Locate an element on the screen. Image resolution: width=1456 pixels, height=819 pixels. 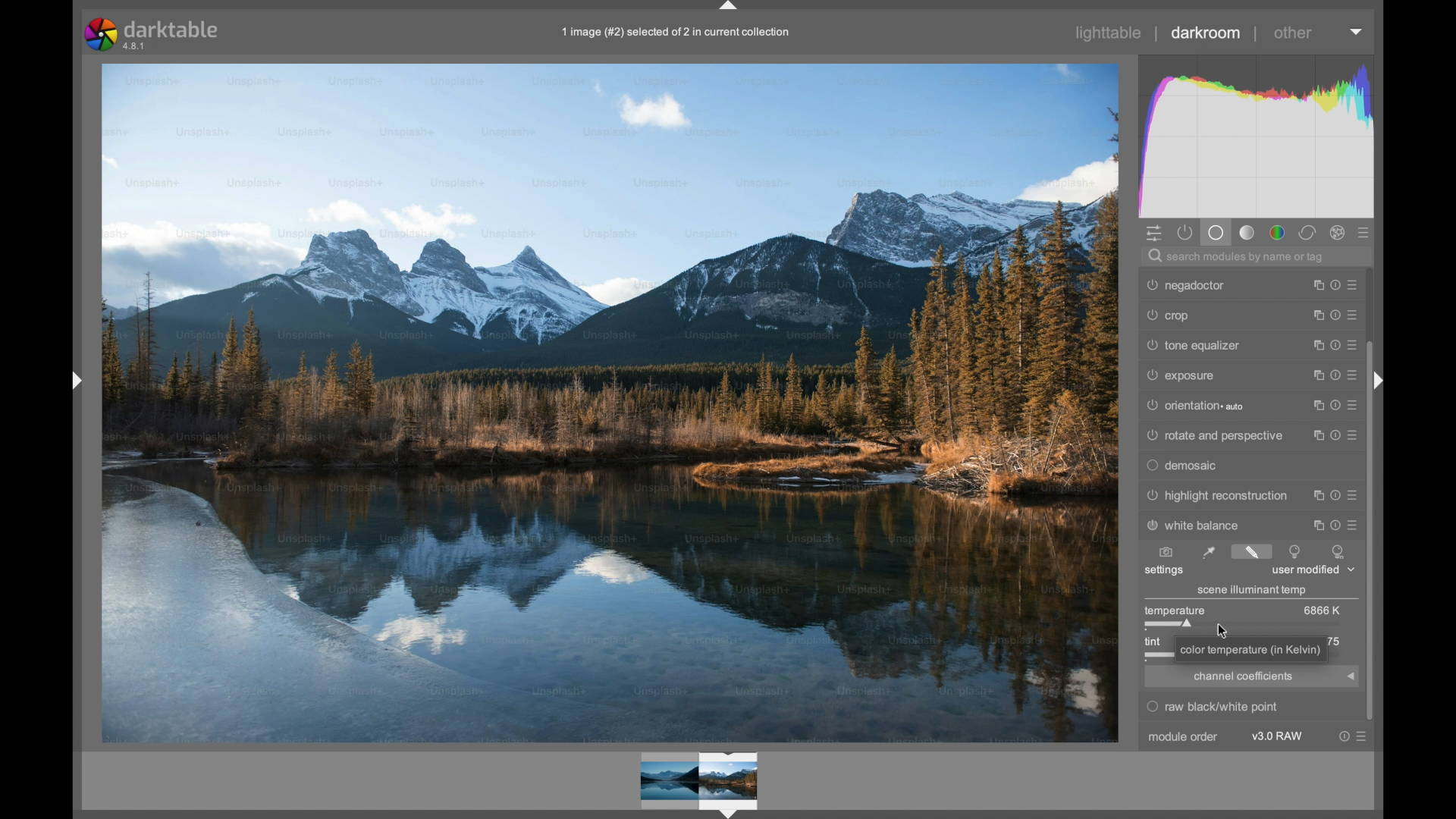
instance is located at coordinates (1315, 463).